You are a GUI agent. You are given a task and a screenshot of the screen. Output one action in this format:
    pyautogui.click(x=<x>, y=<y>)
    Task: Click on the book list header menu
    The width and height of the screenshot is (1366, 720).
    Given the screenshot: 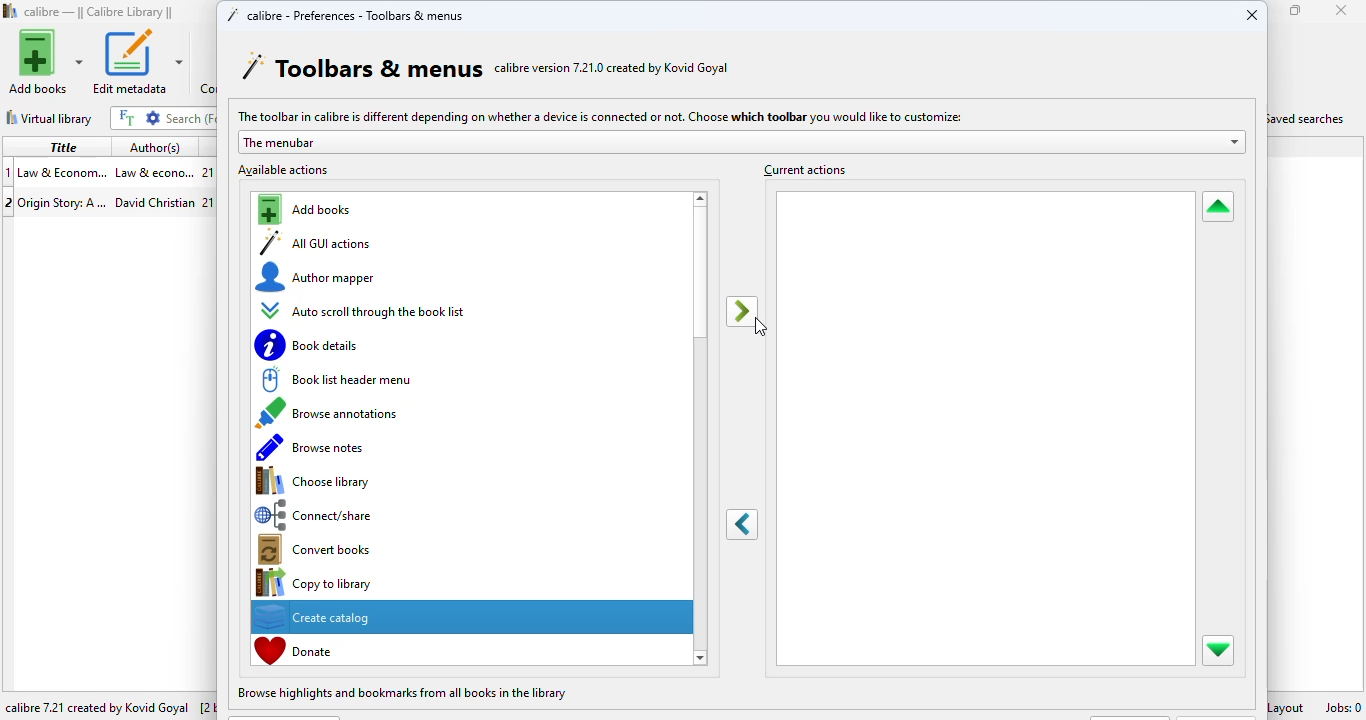 What is the action you would take?
    pyautogui.click(x=336, y=379)
    